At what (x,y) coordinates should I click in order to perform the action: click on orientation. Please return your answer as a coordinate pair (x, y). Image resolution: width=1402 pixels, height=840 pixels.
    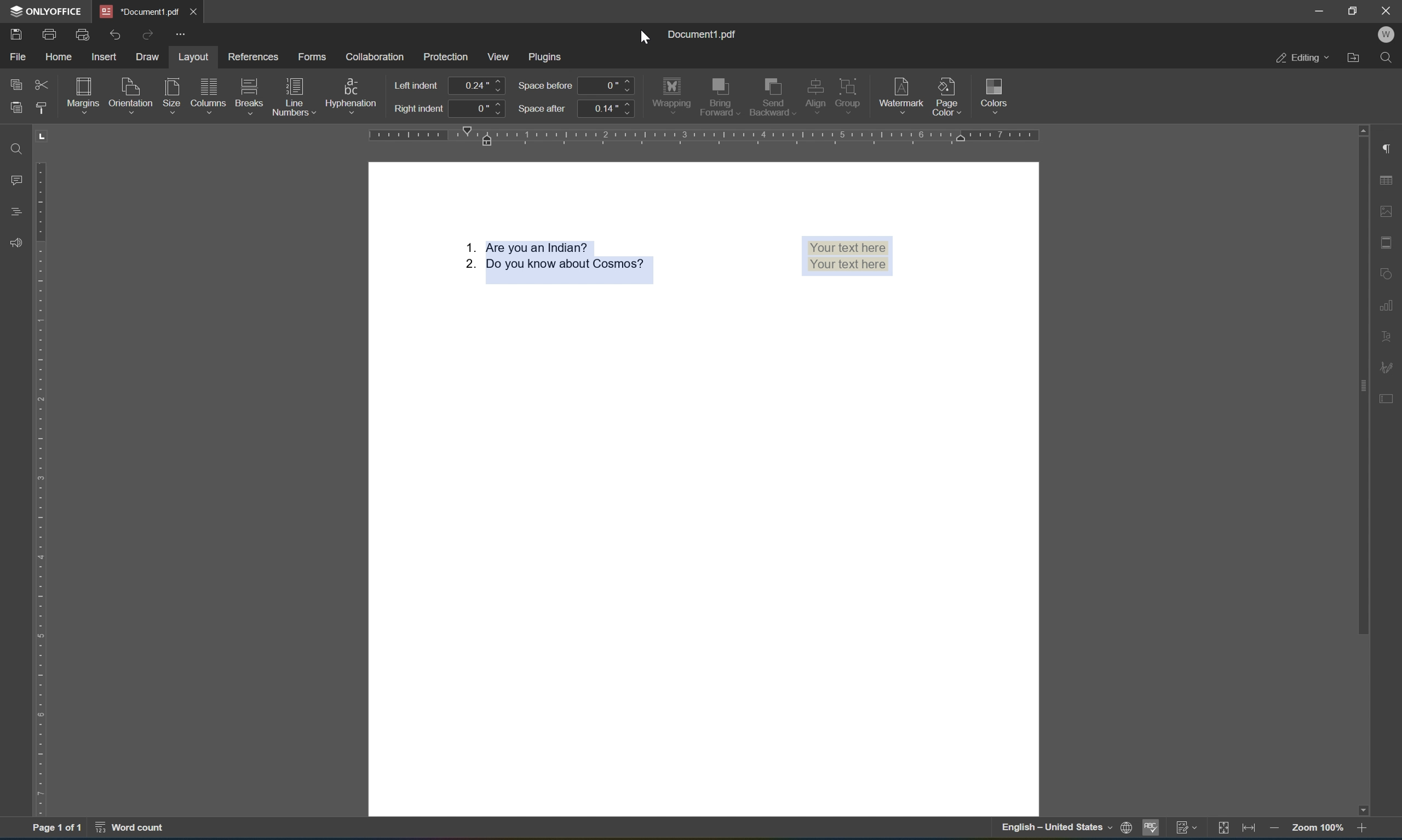
    Looking at the image, I should click on (130, 93).